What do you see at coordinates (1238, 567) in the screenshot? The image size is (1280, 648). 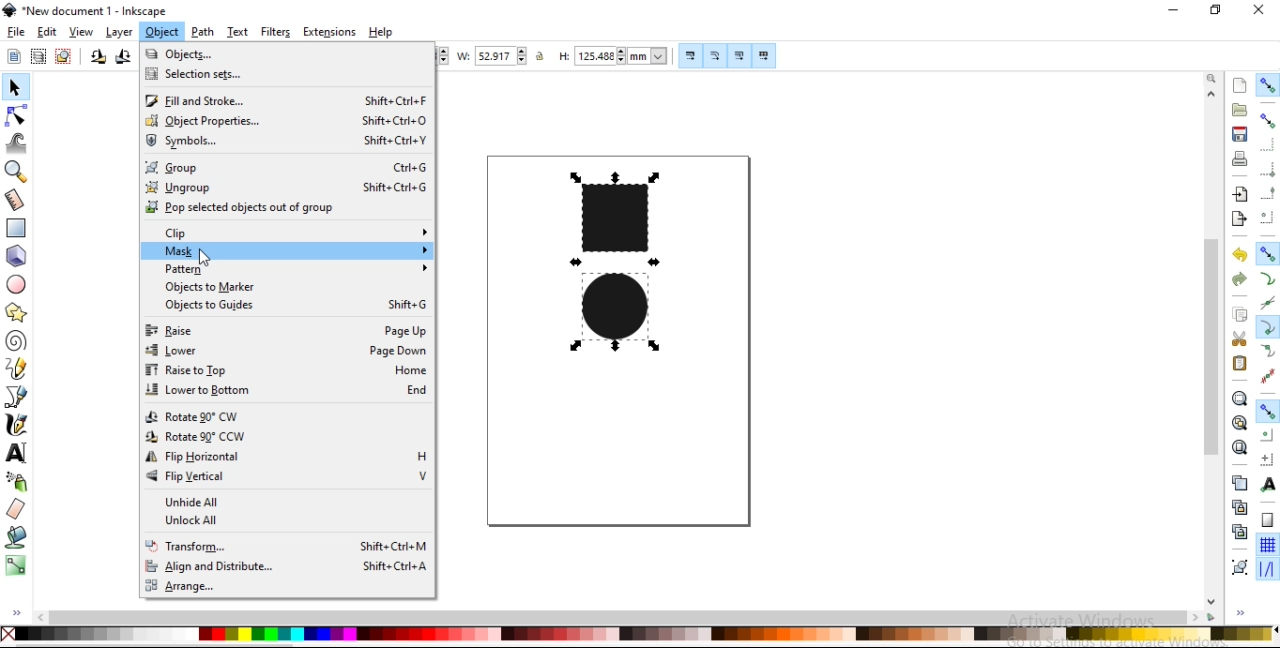 I see `group objects` at bounding box center [1238, 567].